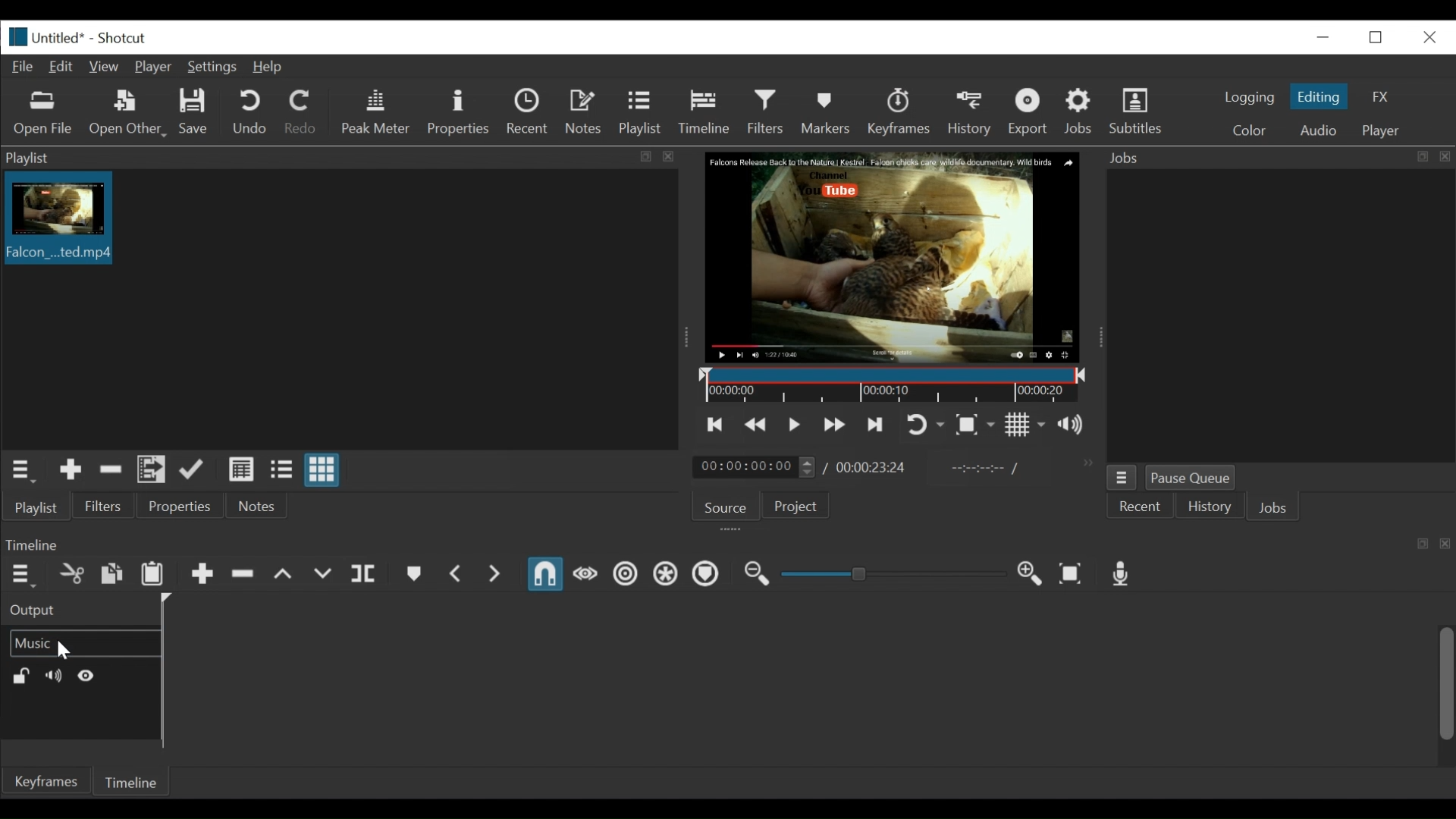  What do you see at coordinates (19, 576) in the screenshot?
I see `Timeline menu` at bounding box center [19, 576].